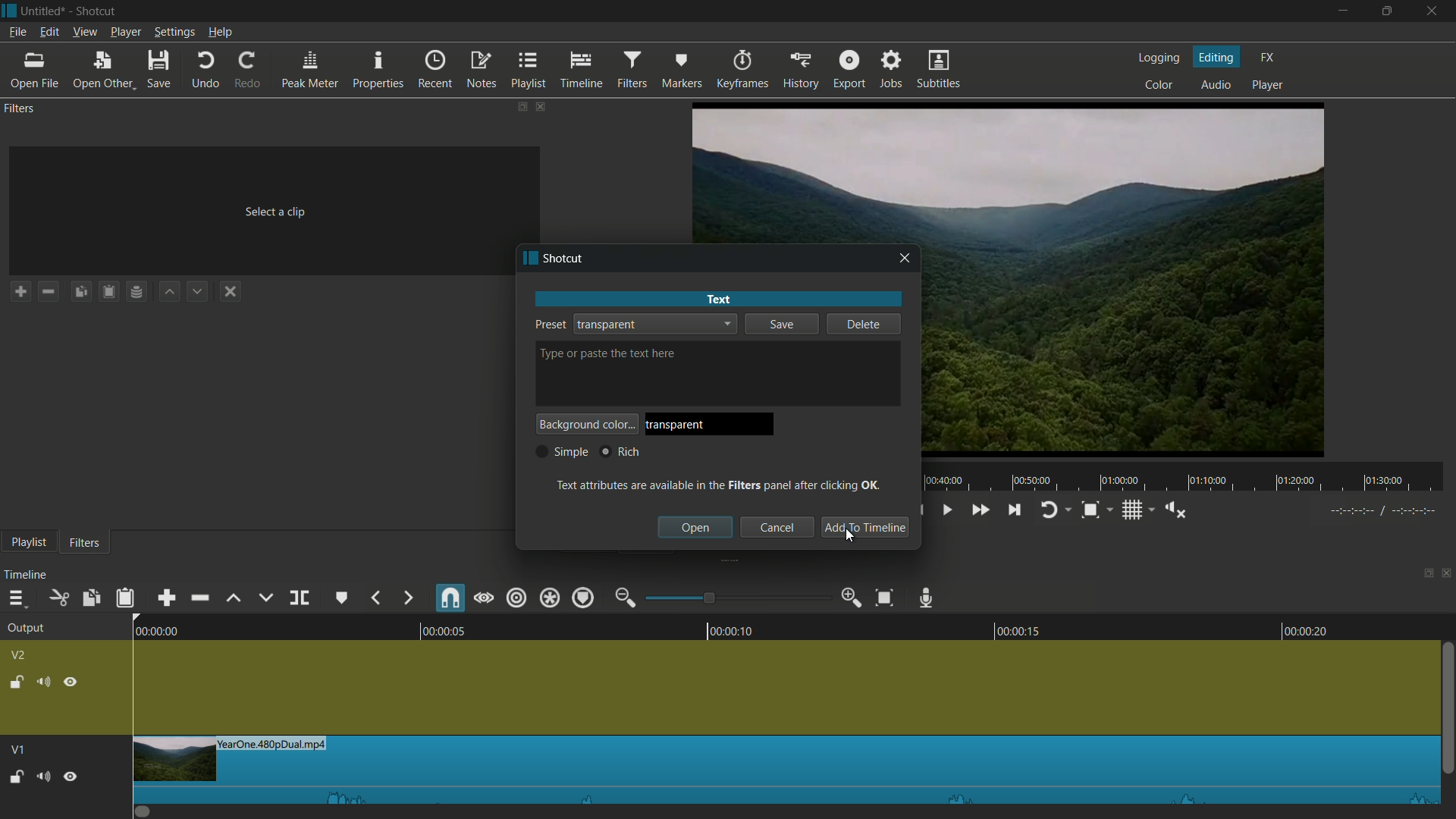 The width and height of the screenshot is (1456, 819). What do you see at coordinates (607, 324) in the screenshot?
I see `transparent` at bounding box center [607, 324].